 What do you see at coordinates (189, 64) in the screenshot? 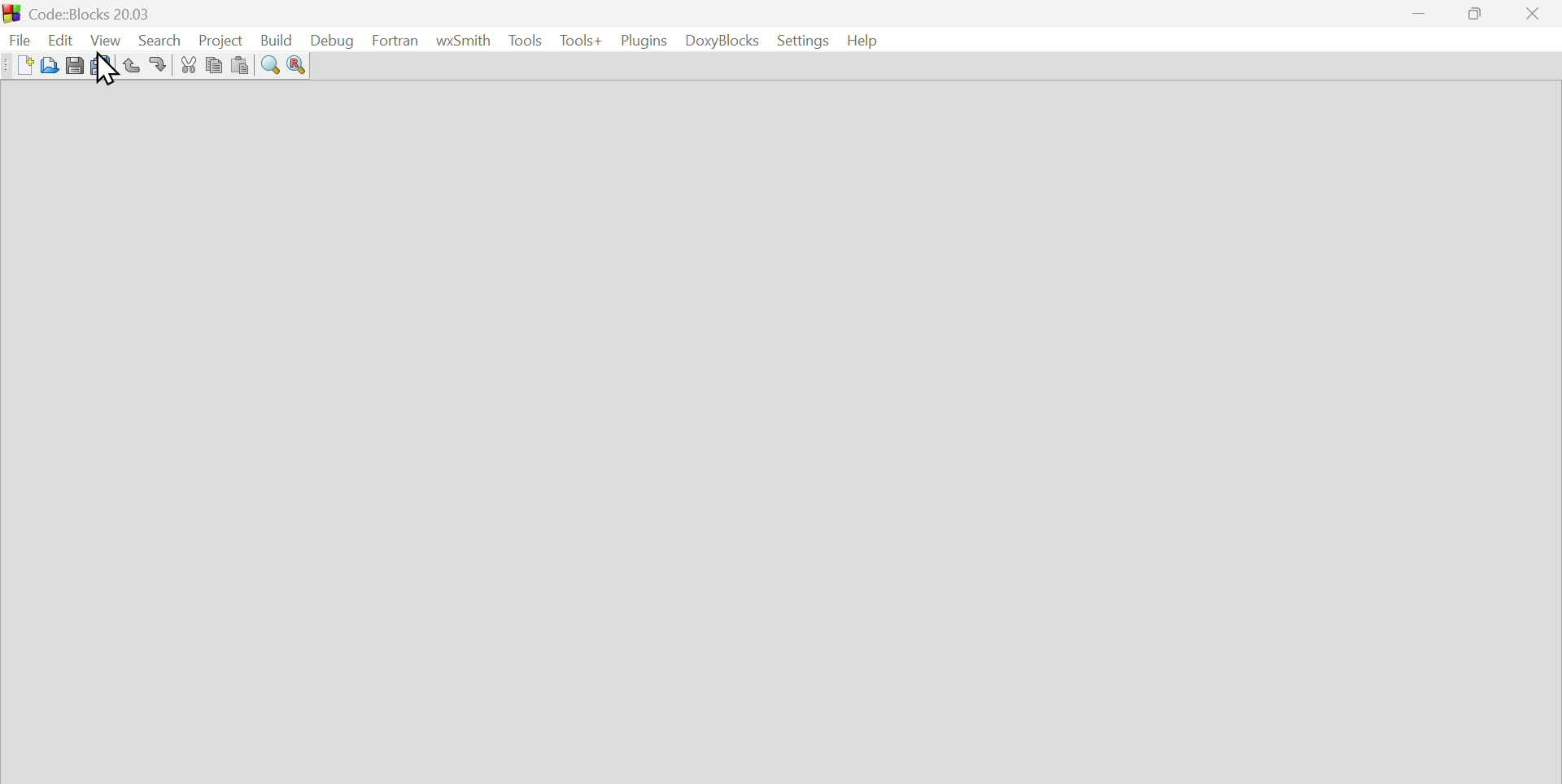
I see `Cut` at bounding box center [189, 64].